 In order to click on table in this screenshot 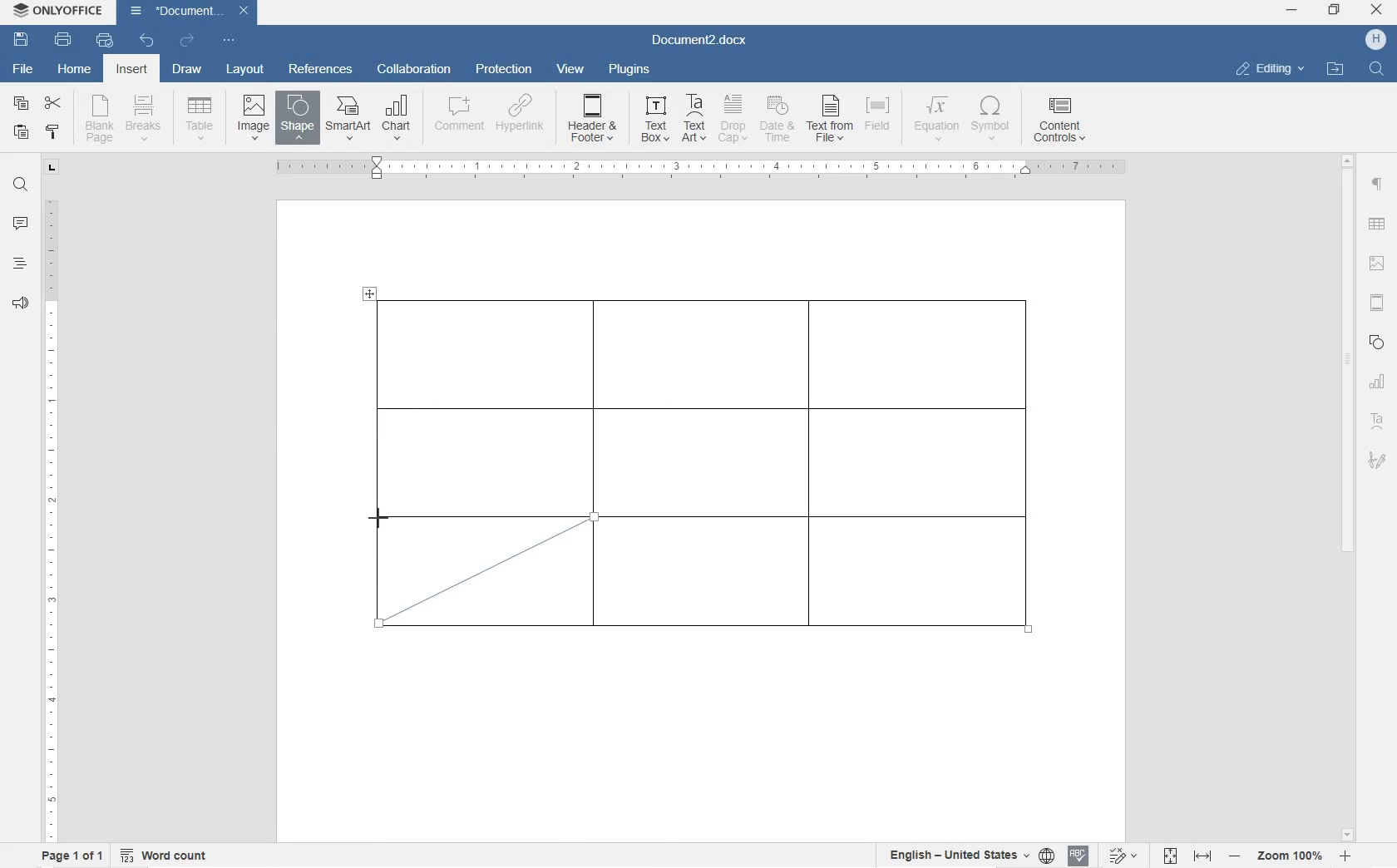, I will do `click(1377, 225)`.